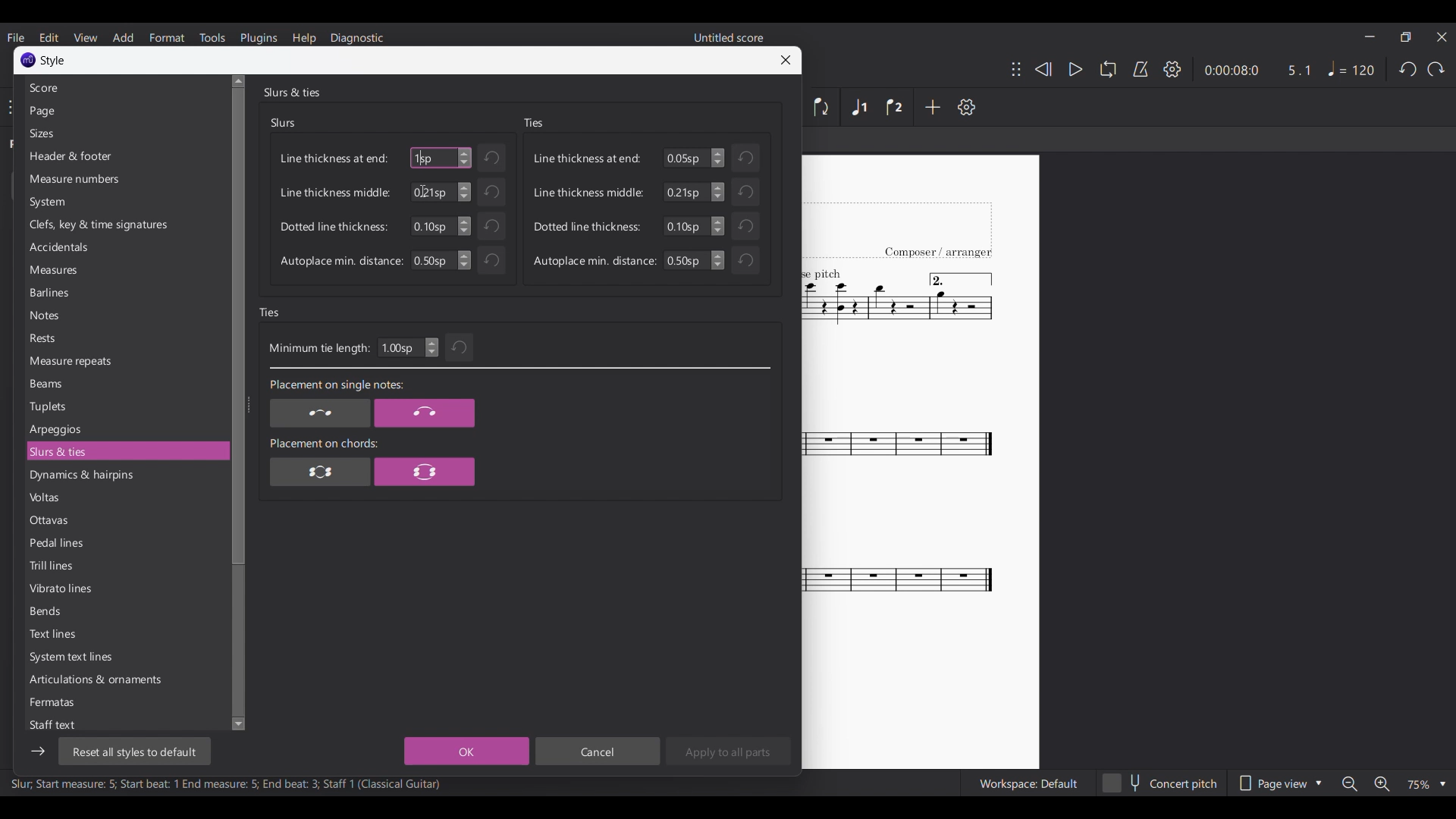 The height and width of the screenshot is (819, 1456). Describe the element at coordinates (933, 107) in the screenshot. I see `Add` at that location.